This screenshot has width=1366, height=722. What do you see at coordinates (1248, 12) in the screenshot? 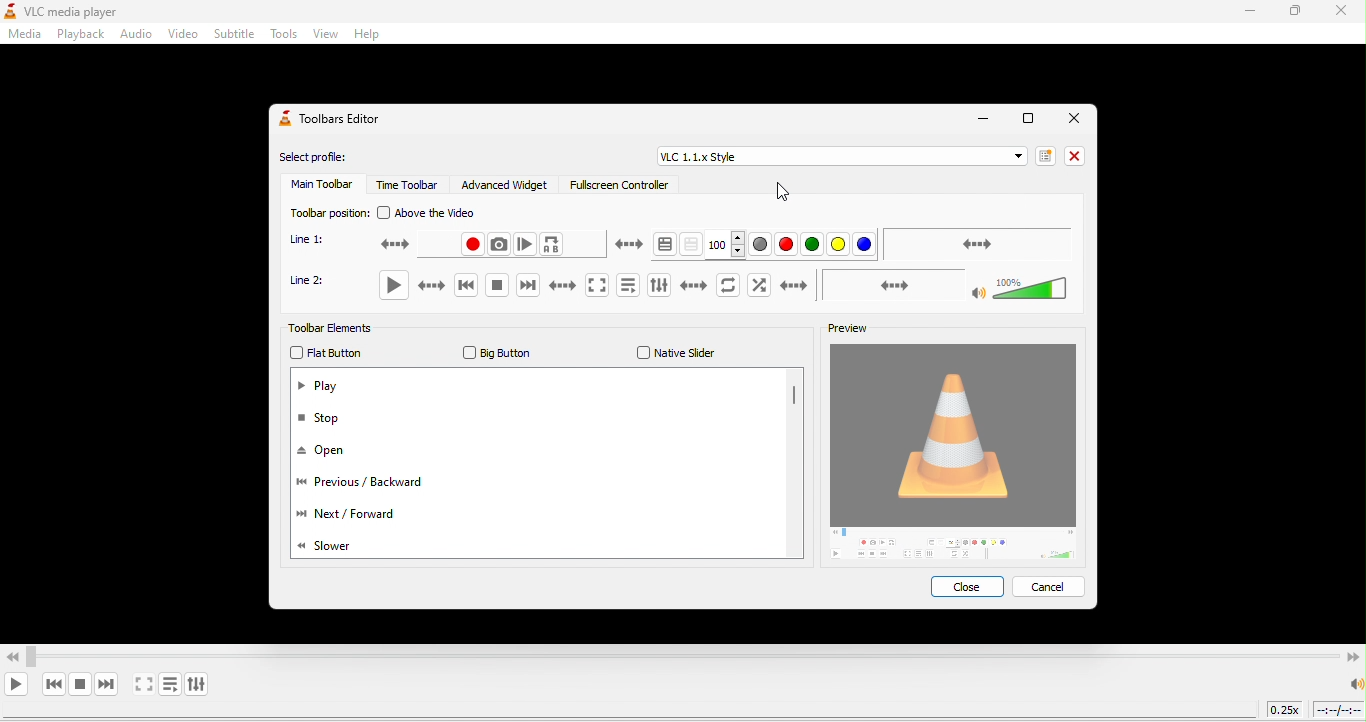
I see `minimize` at bounding box center [1248, 12].